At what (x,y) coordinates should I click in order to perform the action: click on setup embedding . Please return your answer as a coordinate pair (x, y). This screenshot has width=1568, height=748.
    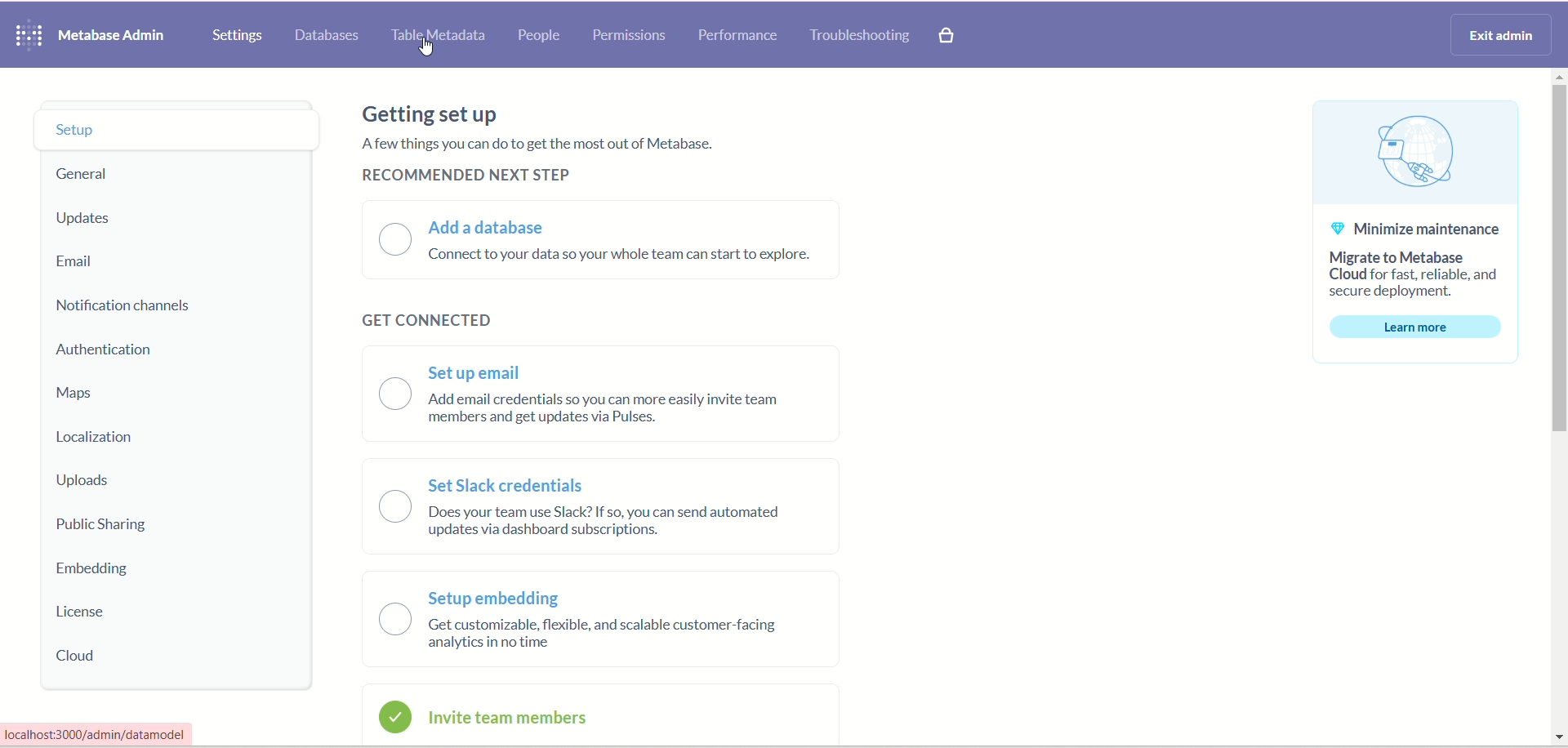
    Looking at the image, I should click on (585, 594).